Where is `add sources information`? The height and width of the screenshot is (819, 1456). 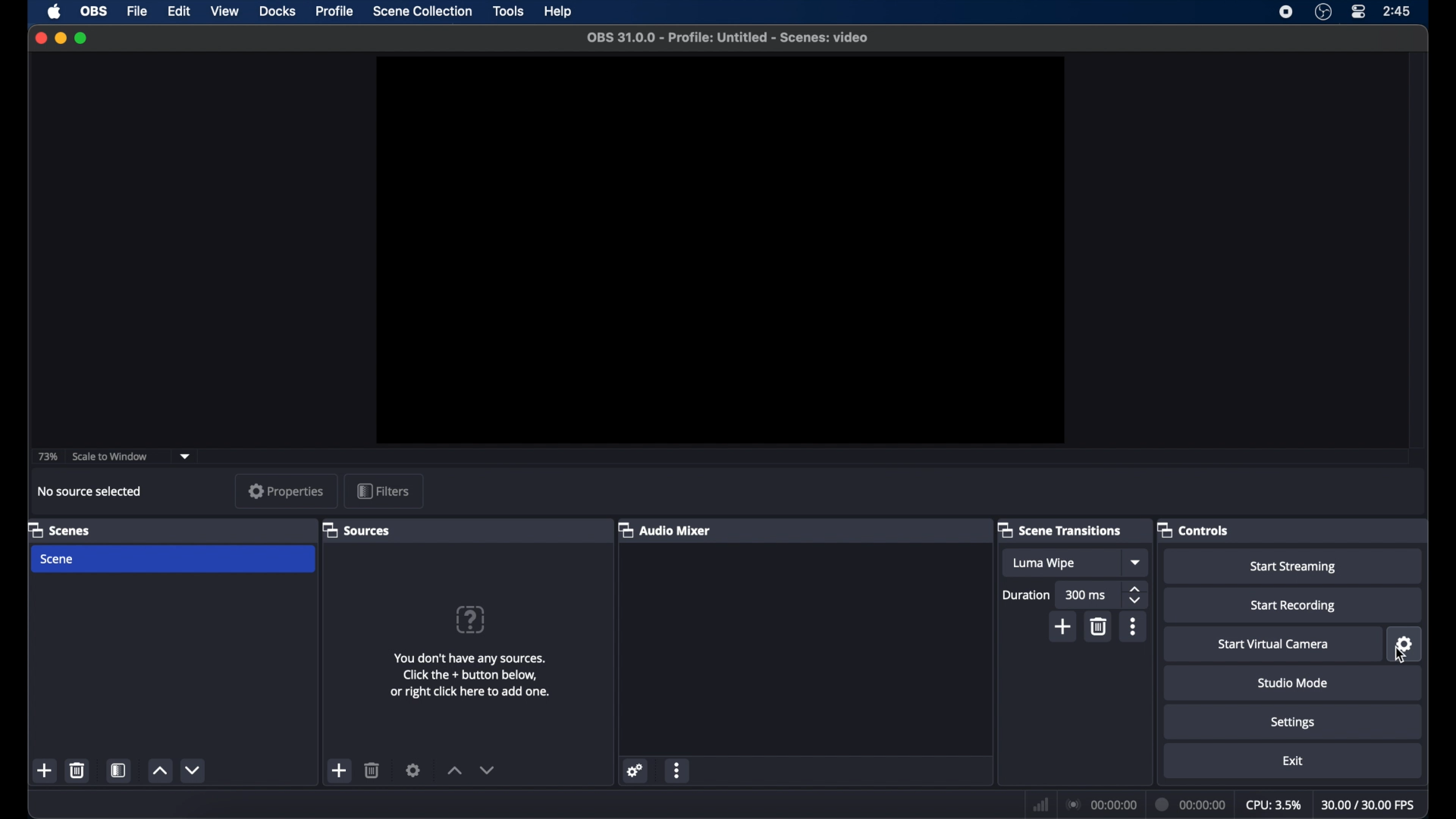 add sources information is located at coordinates (469, 675).